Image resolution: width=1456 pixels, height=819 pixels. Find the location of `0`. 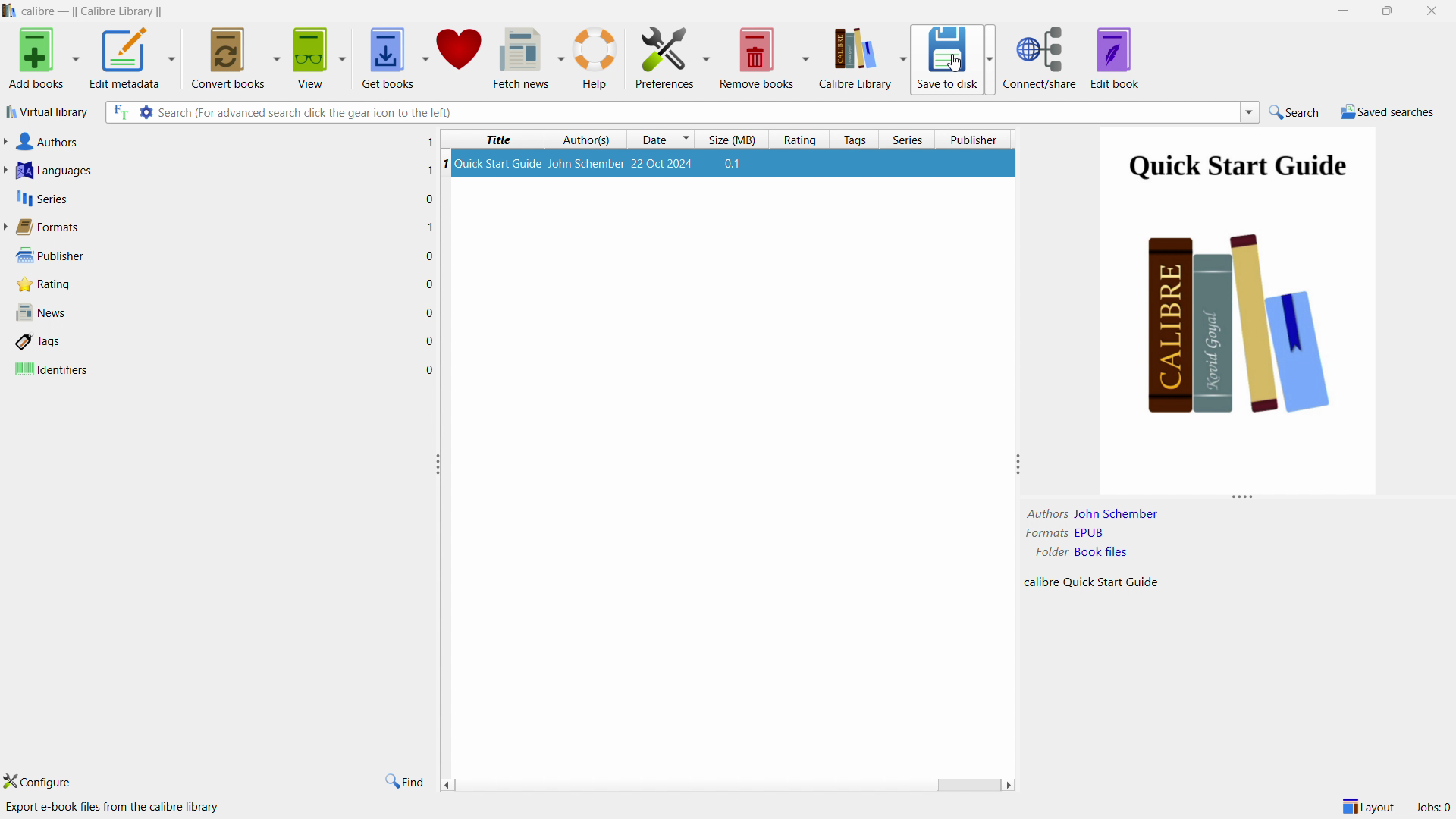

0 is located at coordinates (429, 341).